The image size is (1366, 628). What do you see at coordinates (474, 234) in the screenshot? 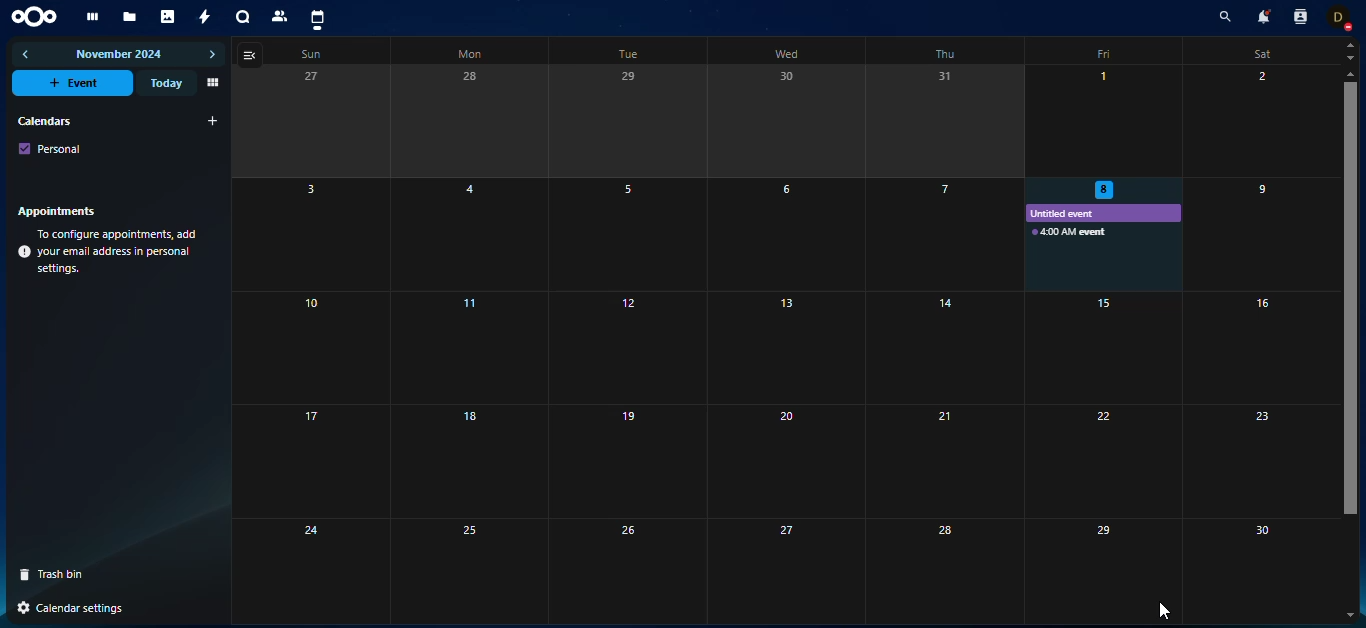
I see `4` at bounding box center [474, 234].